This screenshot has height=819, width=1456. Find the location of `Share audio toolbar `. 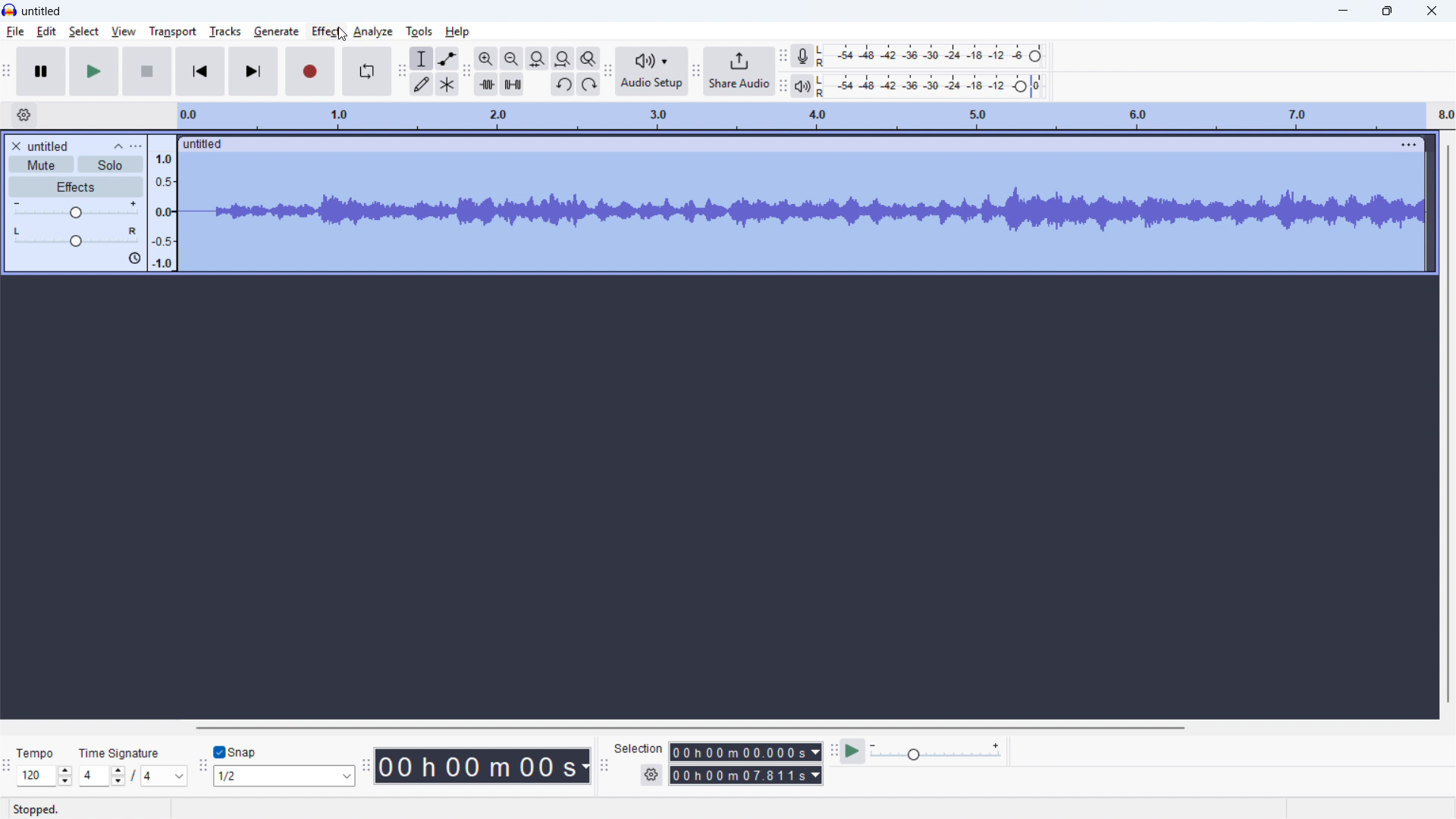

Share audio toolbar  is located at coordinates (695, 72).